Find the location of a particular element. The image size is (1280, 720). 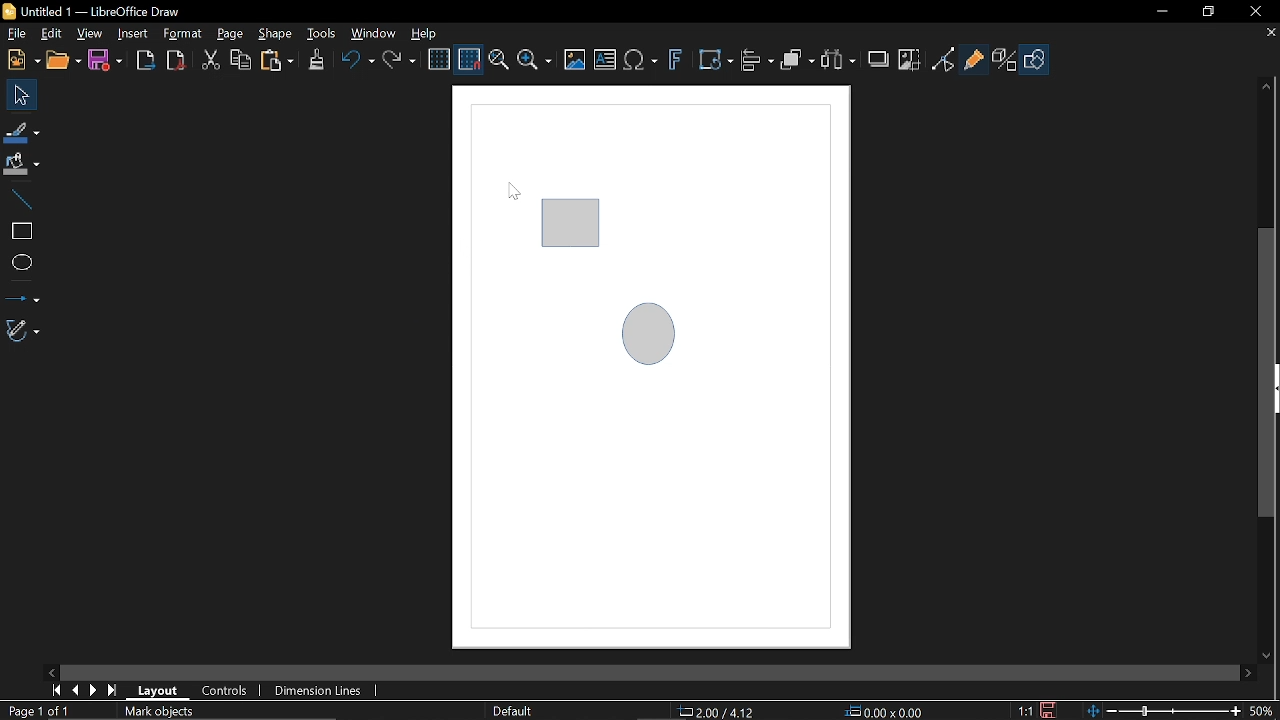

Mark objects is located at coordinates (164, 712).